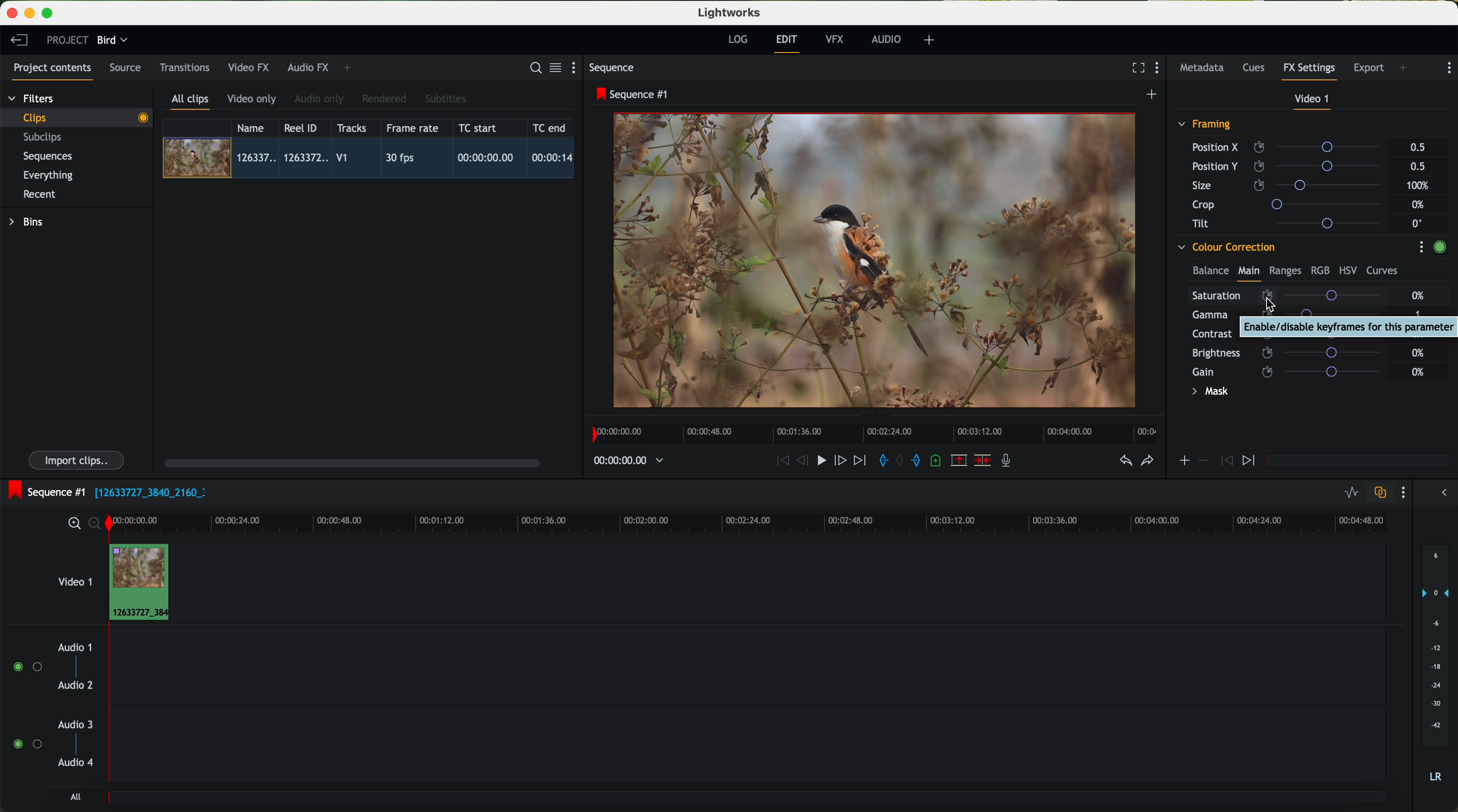  Describe the element at coordinates (900, 461) in the screenshot. I see `clear marks` at that location.